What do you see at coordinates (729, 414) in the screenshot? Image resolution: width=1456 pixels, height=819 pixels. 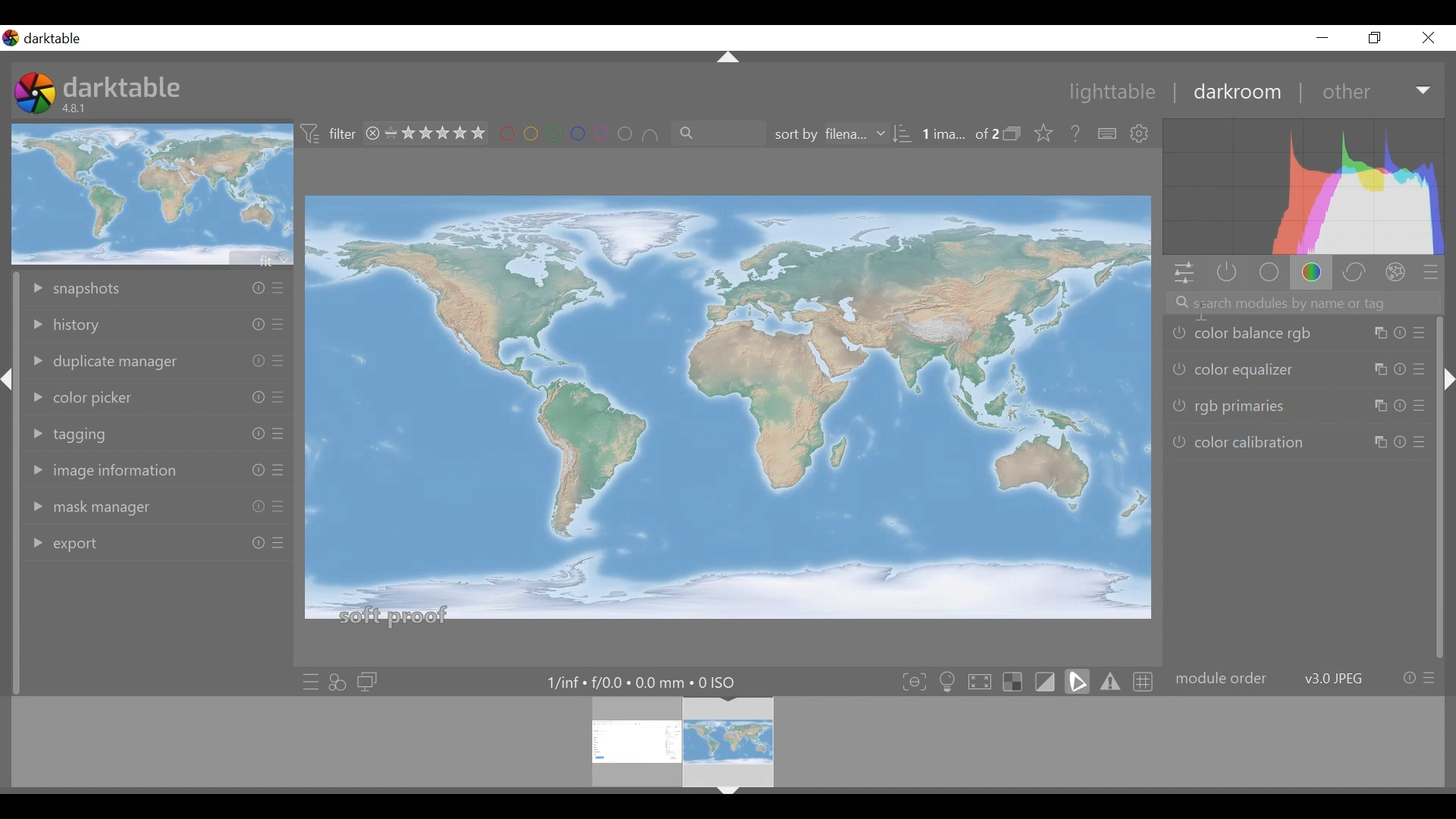 I see `main editing area` at bounding box center [729, 414].